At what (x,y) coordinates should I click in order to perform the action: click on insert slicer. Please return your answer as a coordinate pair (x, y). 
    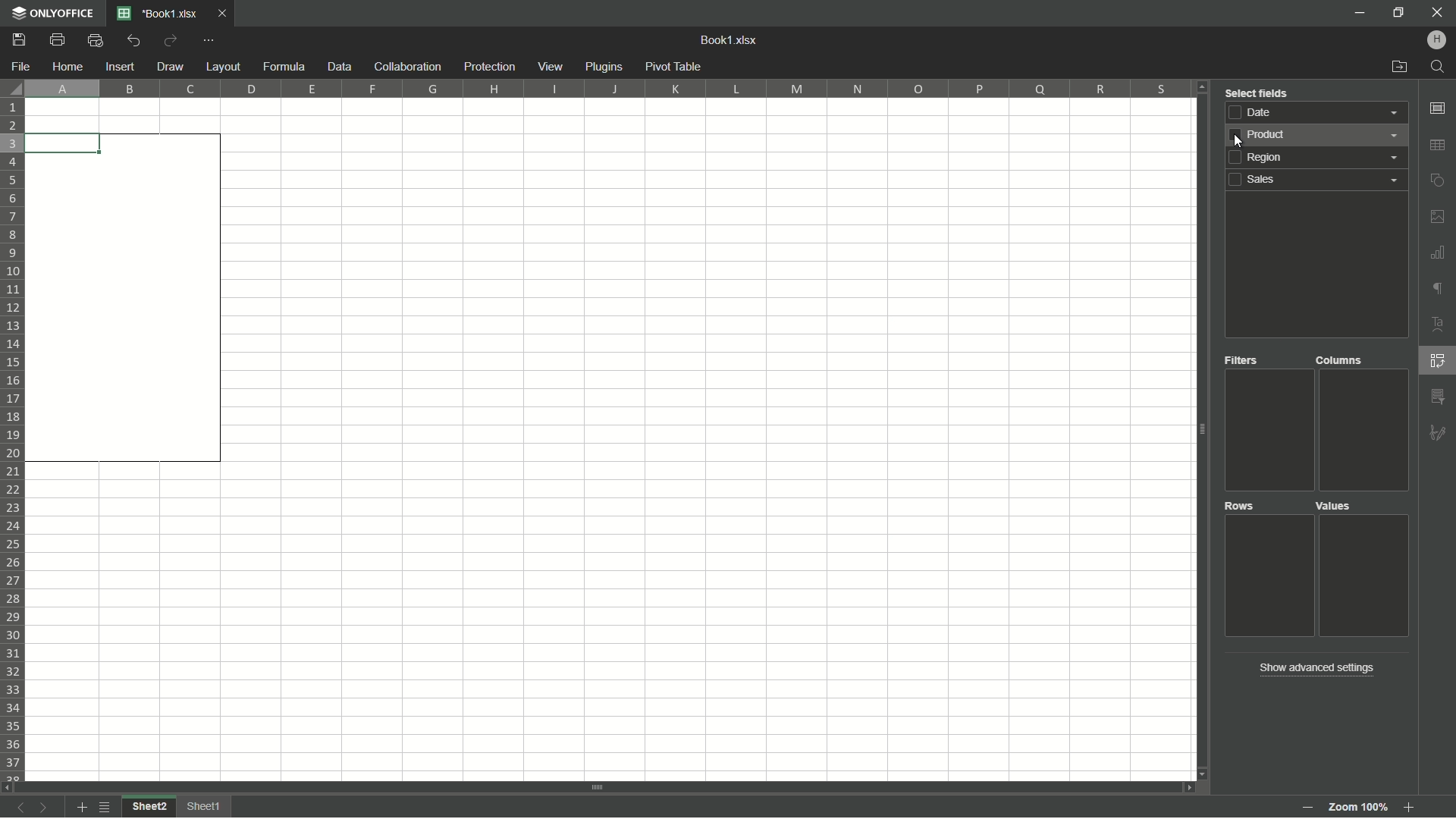
    Looking at the image, I should click on (1438, 395).